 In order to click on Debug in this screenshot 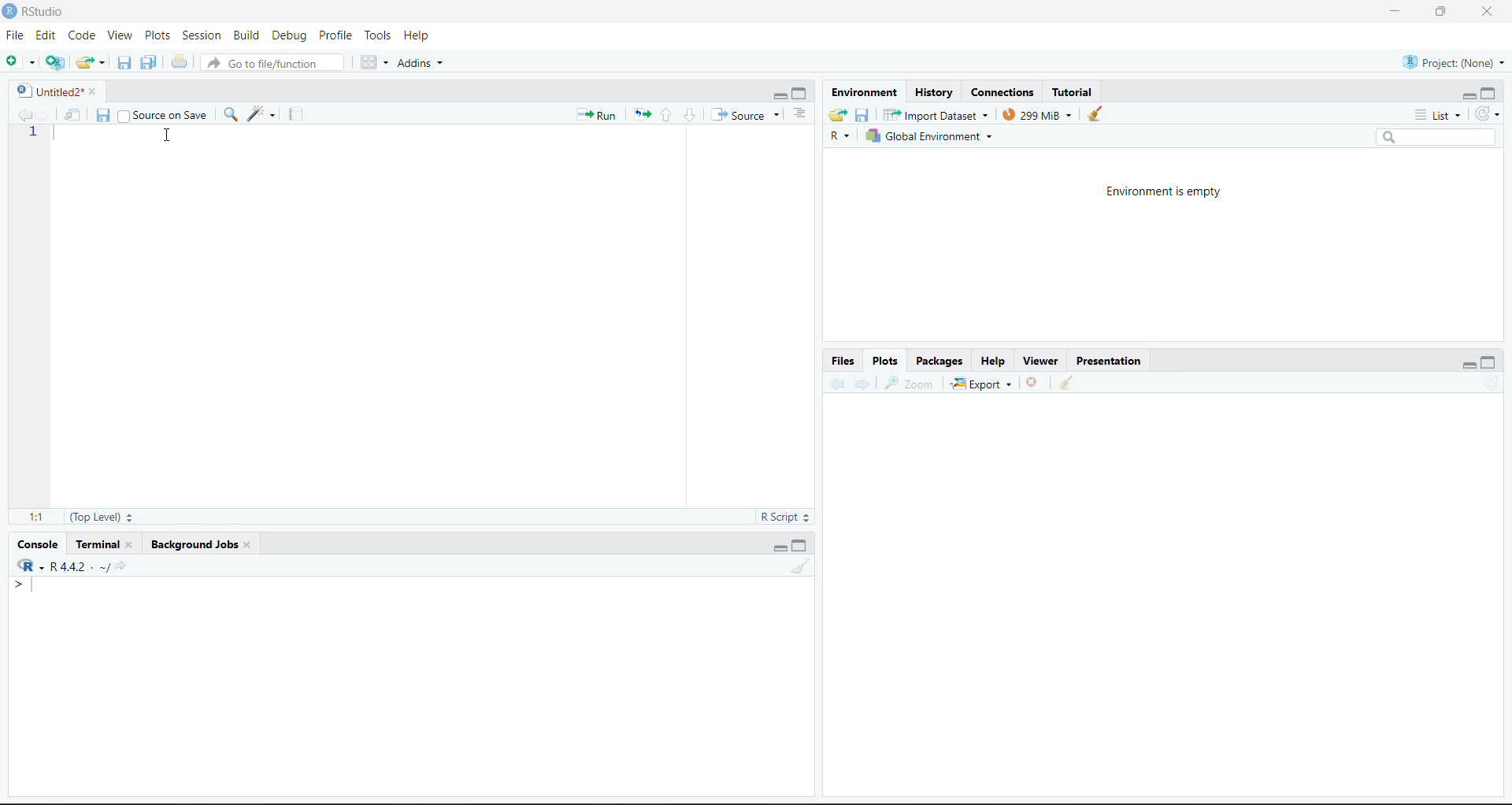, I will do `click(290, 35)`.